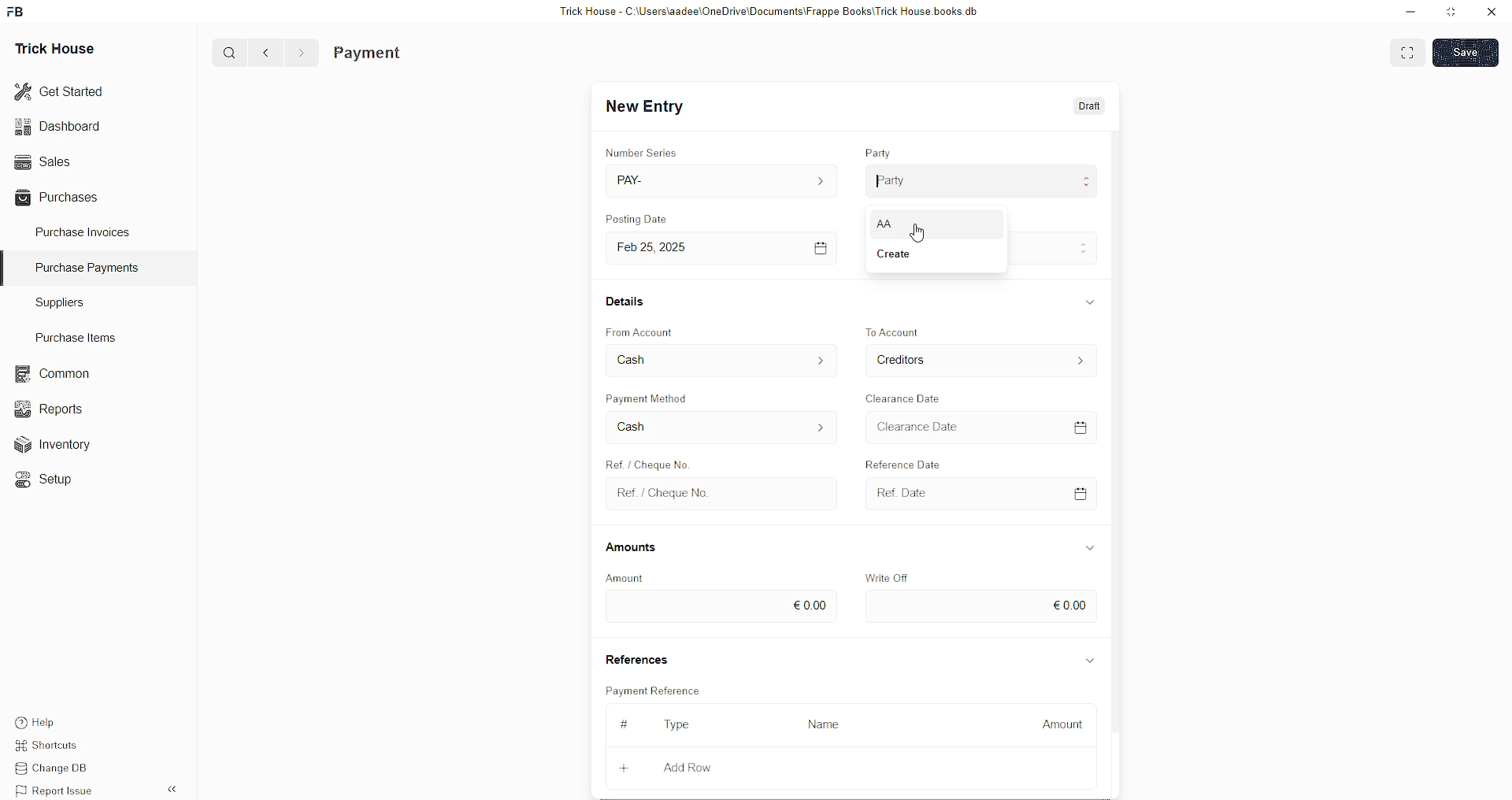  I want to click on , so click(1091, 547).